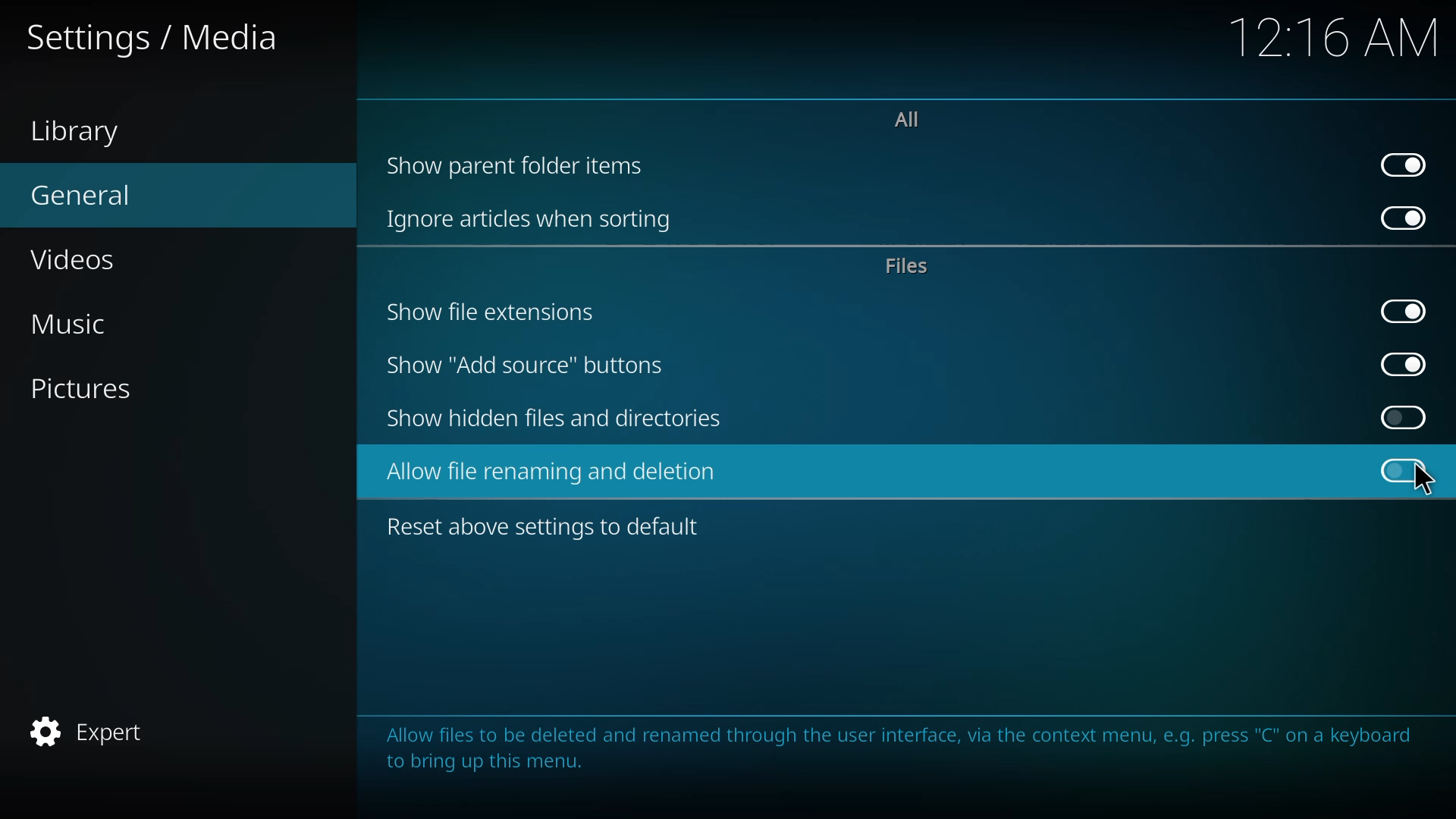 Image resolution: width=1456 pixels, height=819 pixels. Describe the element at coordinates (160, 37) in the screenshot. I see `settings media` at that location.